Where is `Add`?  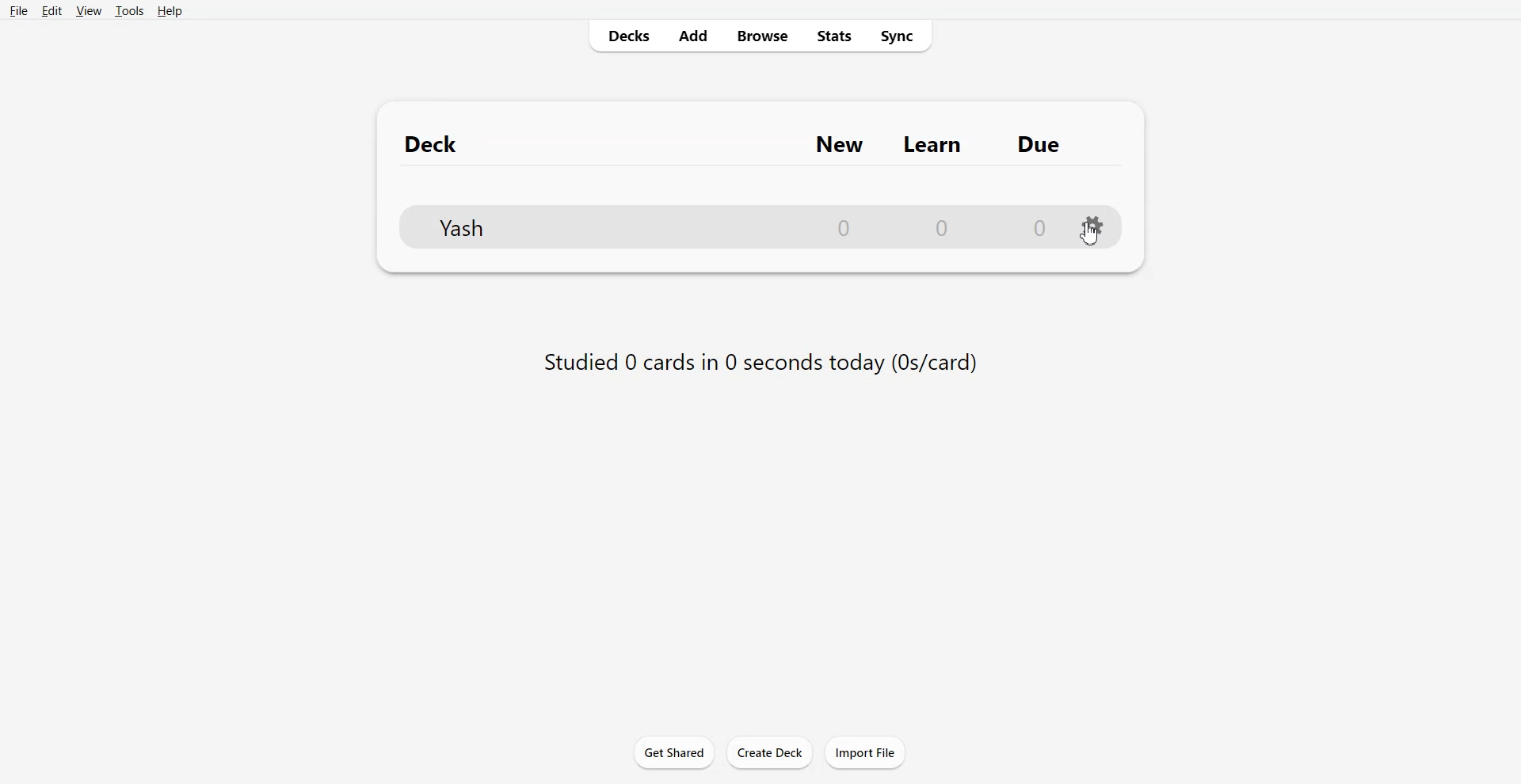
Add is located at coordinates (694, 36).